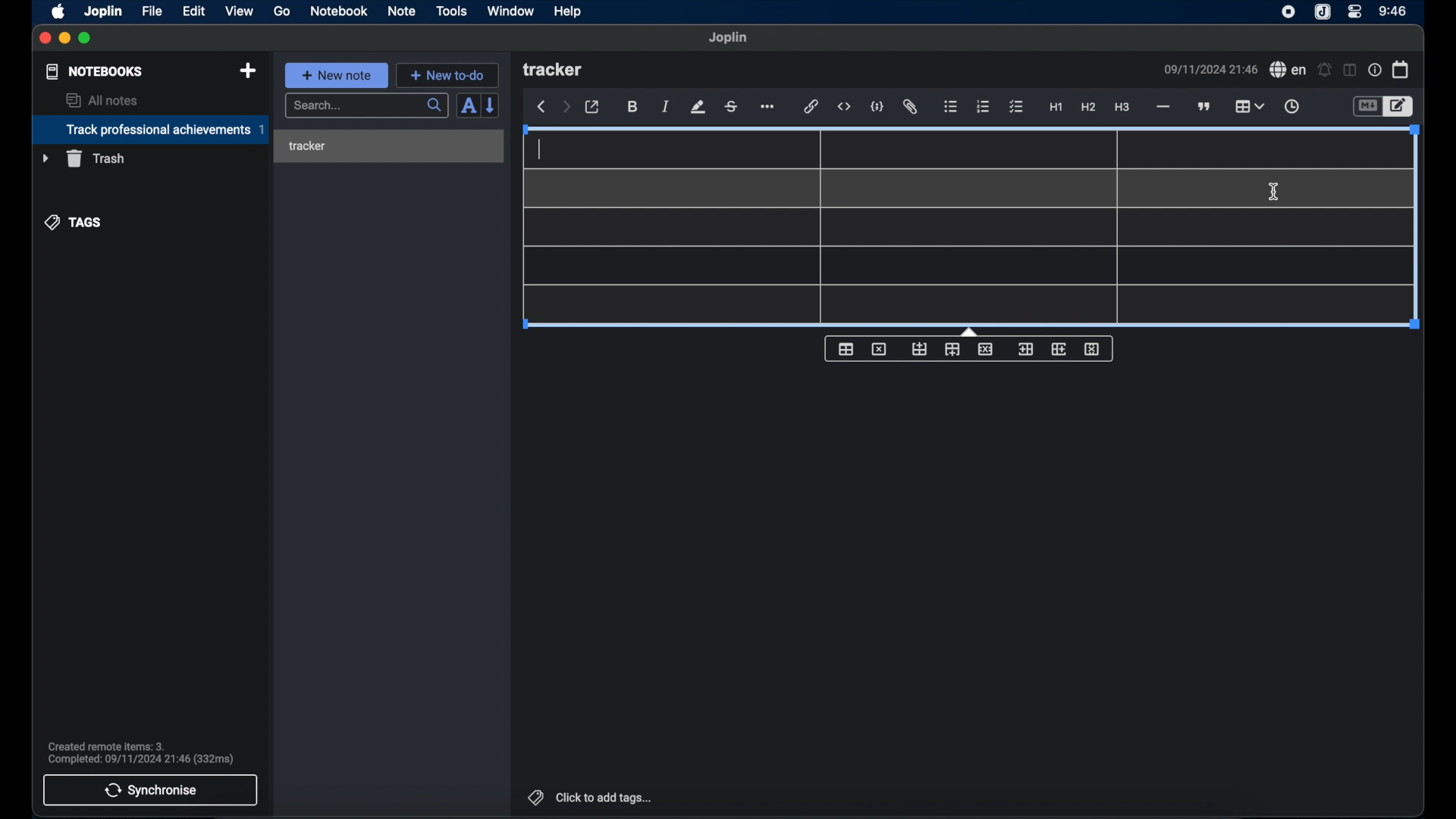 This screenshot has height=819, width=1456. What do you see at coordinates (878, 106) in the screenshot?
I see `code` at bounding box center [878, 106].